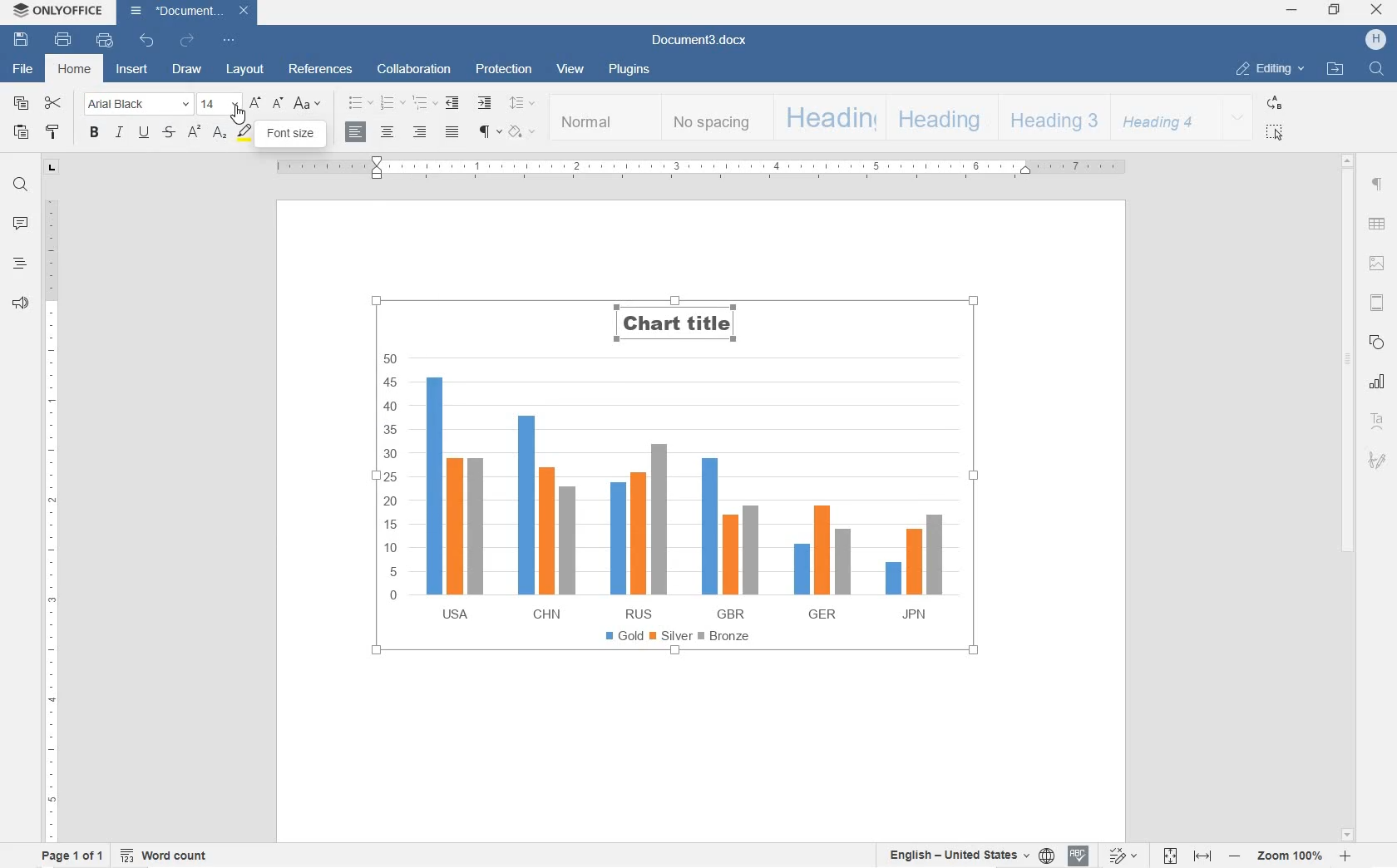  What do you see at coordinates (52, 166) in the screenshot?
I see `TAB` at bounding box center [52, 166].